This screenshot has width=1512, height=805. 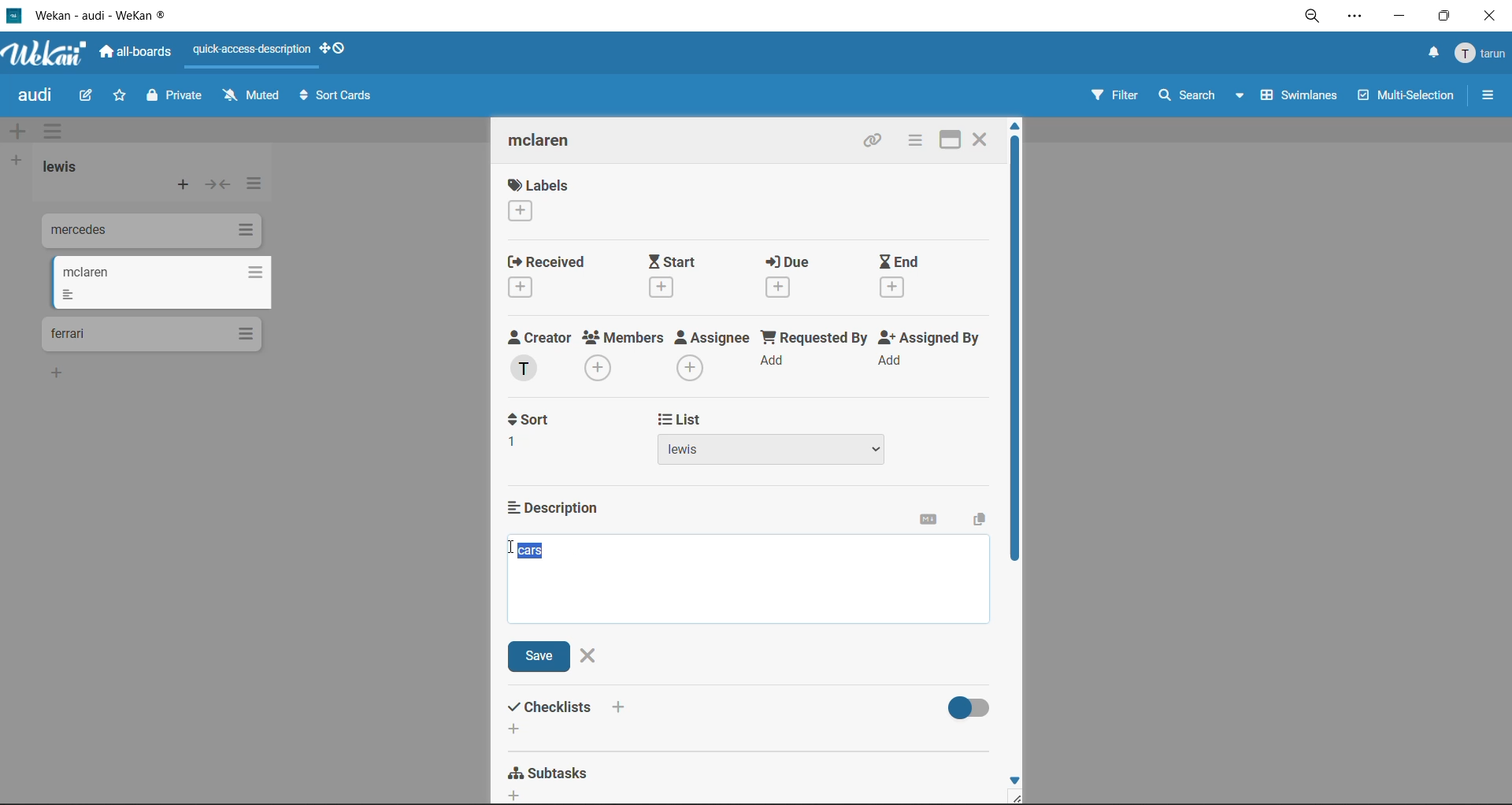 What do you see at coordinates (543, 356) in the screenshot?
I see `creator` at bounding box center [543, 356].